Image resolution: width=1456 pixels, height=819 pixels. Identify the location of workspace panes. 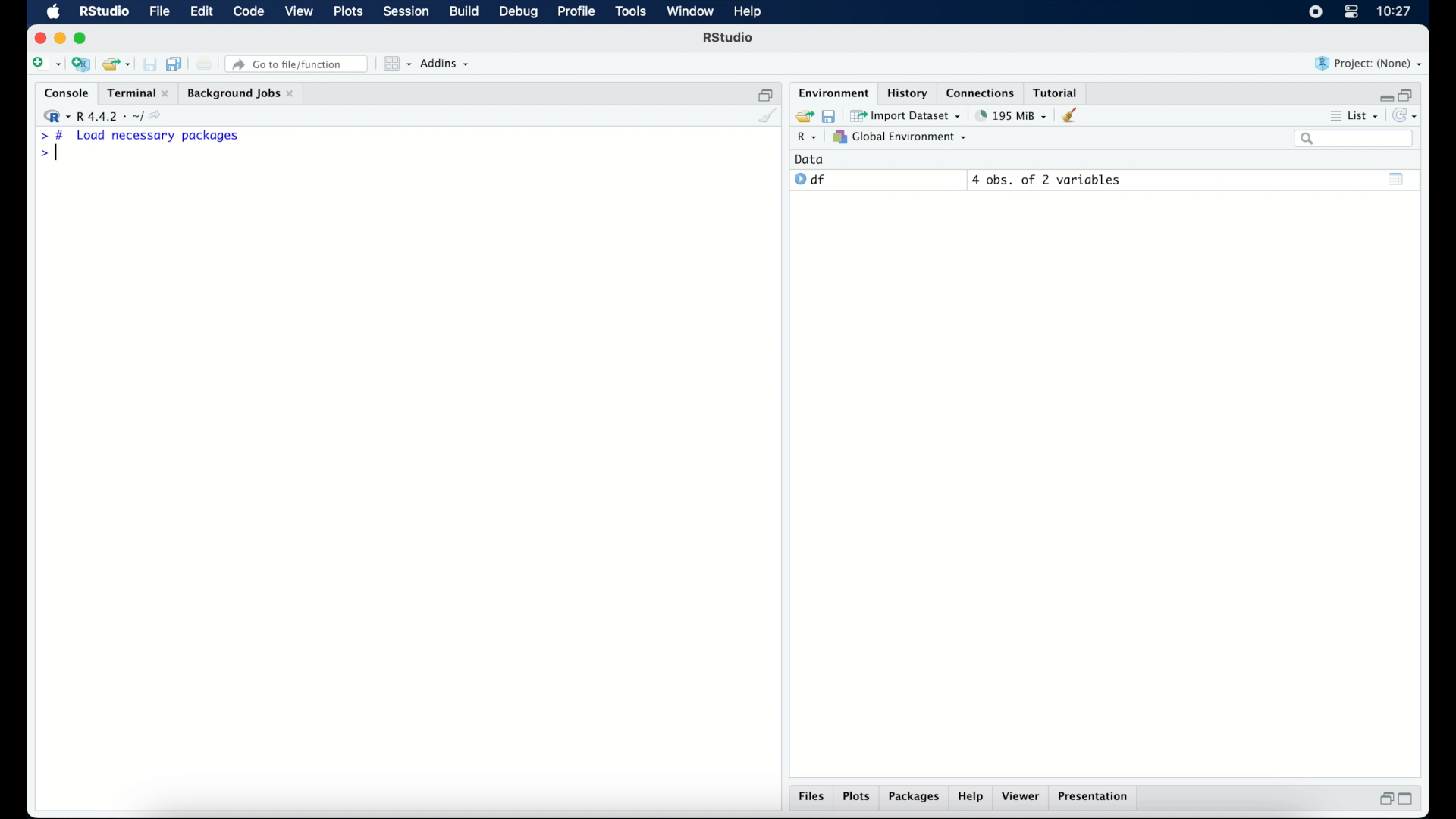
(396, 64).